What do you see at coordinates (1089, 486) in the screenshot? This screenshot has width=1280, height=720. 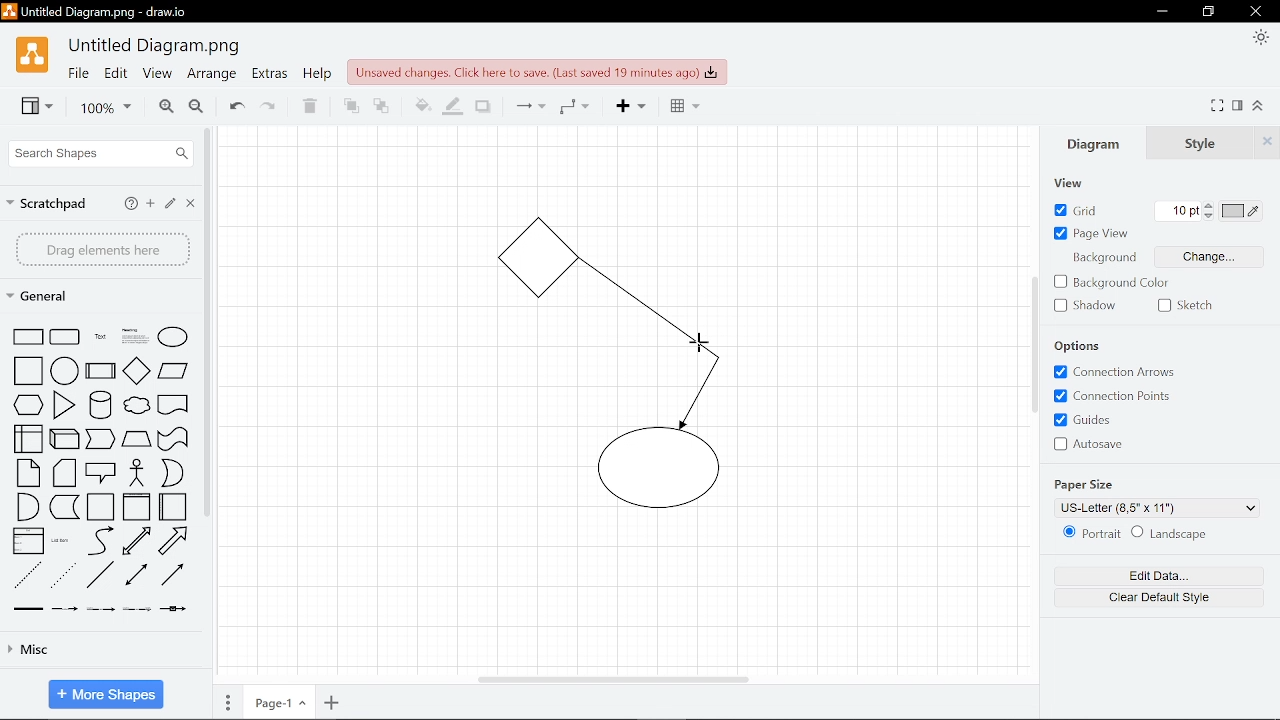 I see `Paper Size` at bounding box center [1089, 486].